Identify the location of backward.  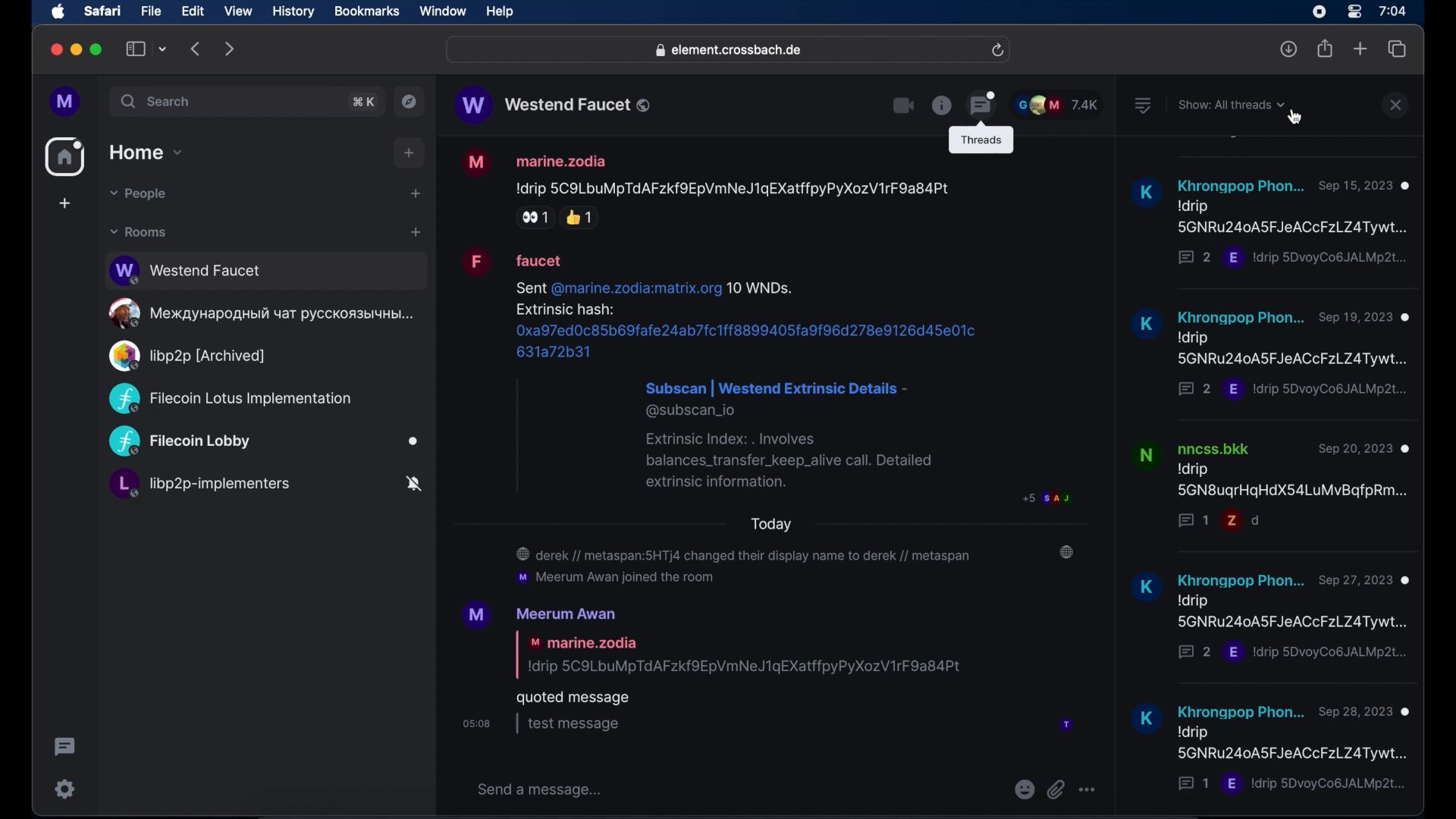
(196, 49).